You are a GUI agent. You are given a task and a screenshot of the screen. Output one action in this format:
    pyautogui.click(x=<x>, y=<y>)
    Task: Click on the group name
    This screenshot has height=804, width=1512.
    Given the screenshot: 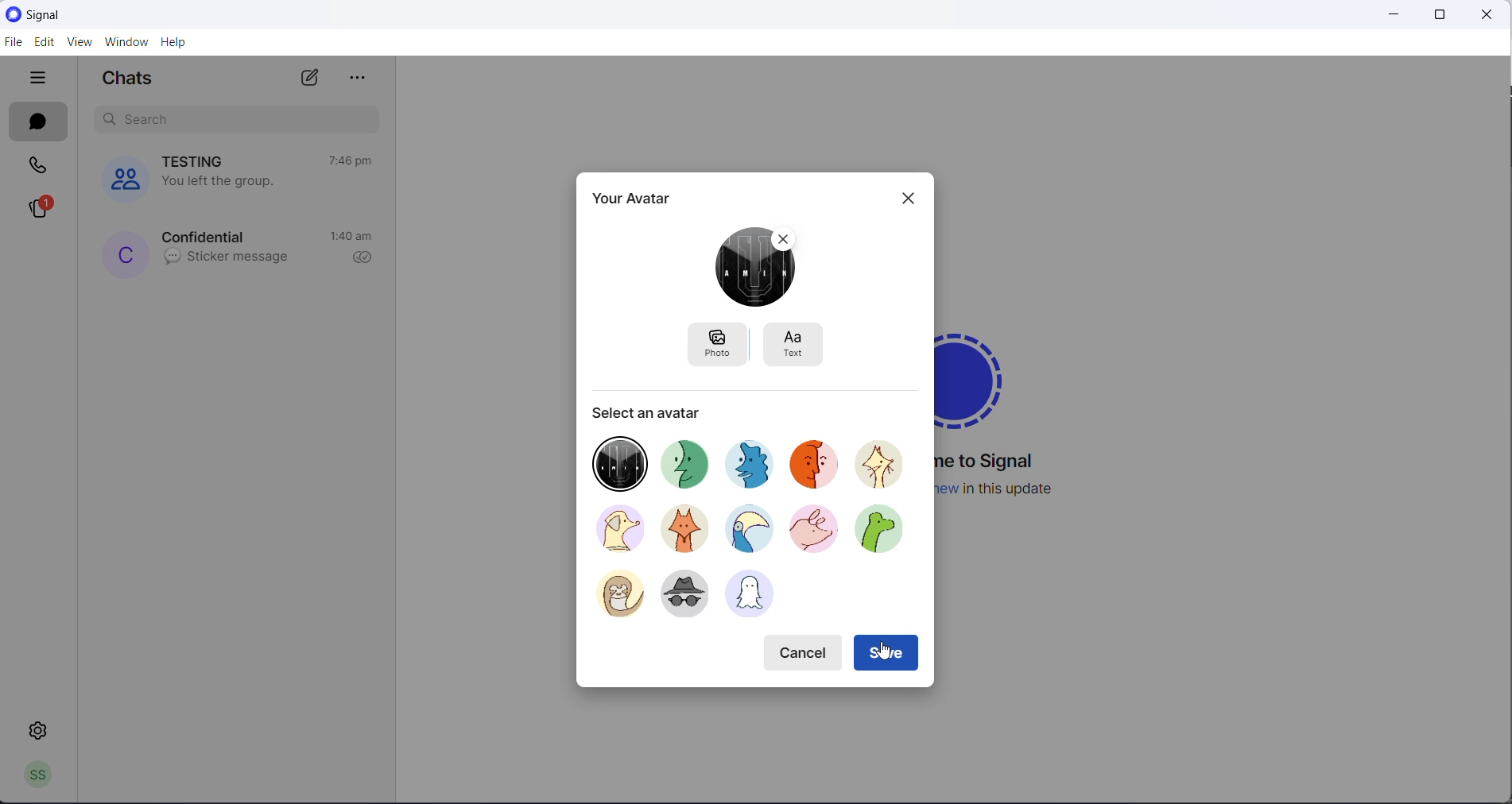 What is the action you would take?
    pyautogui.click(x=199, y=161)
    